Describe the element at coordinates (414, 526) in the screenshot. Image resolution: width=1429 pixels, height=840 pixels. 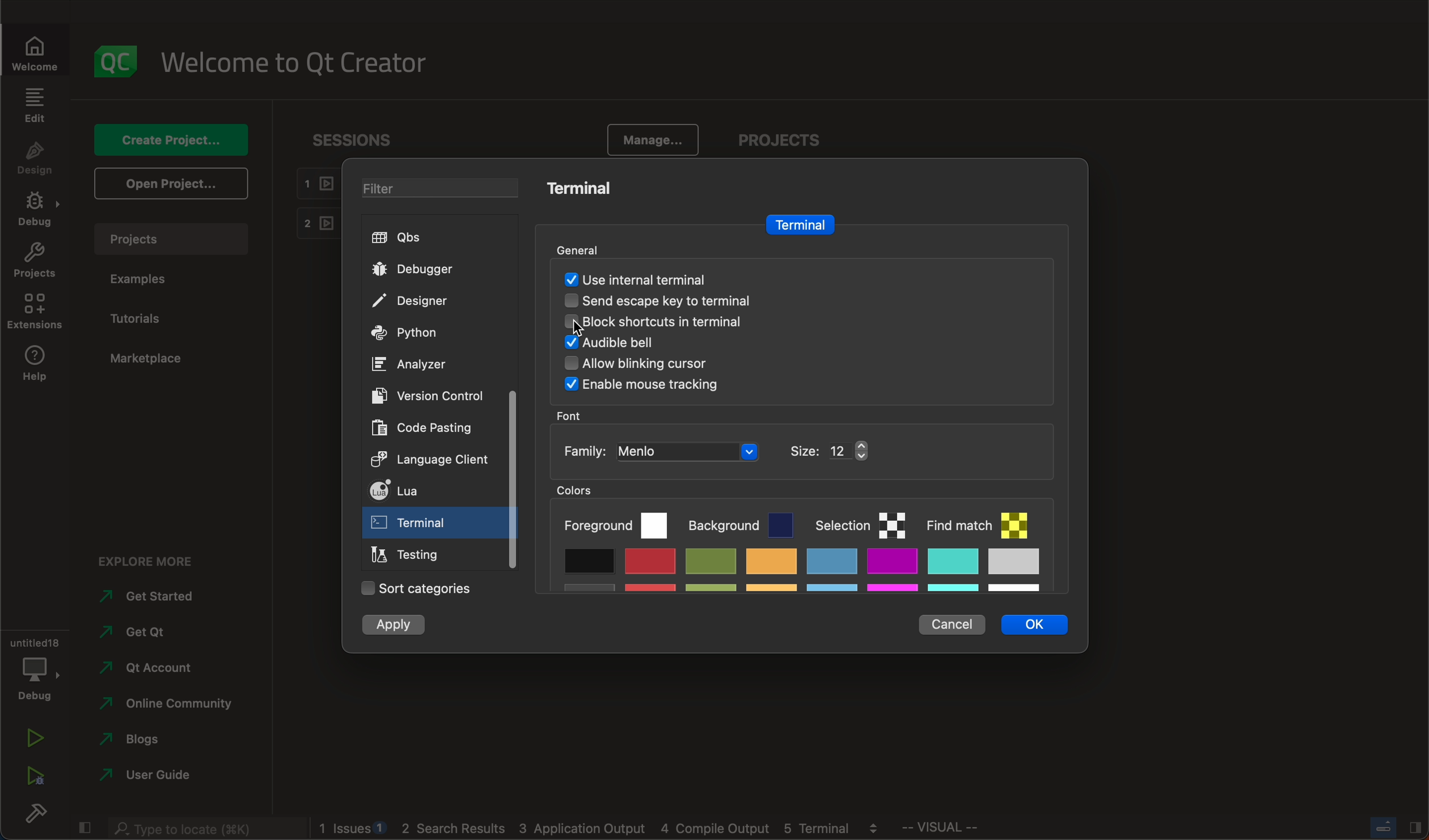
I see `on click ` at that location.